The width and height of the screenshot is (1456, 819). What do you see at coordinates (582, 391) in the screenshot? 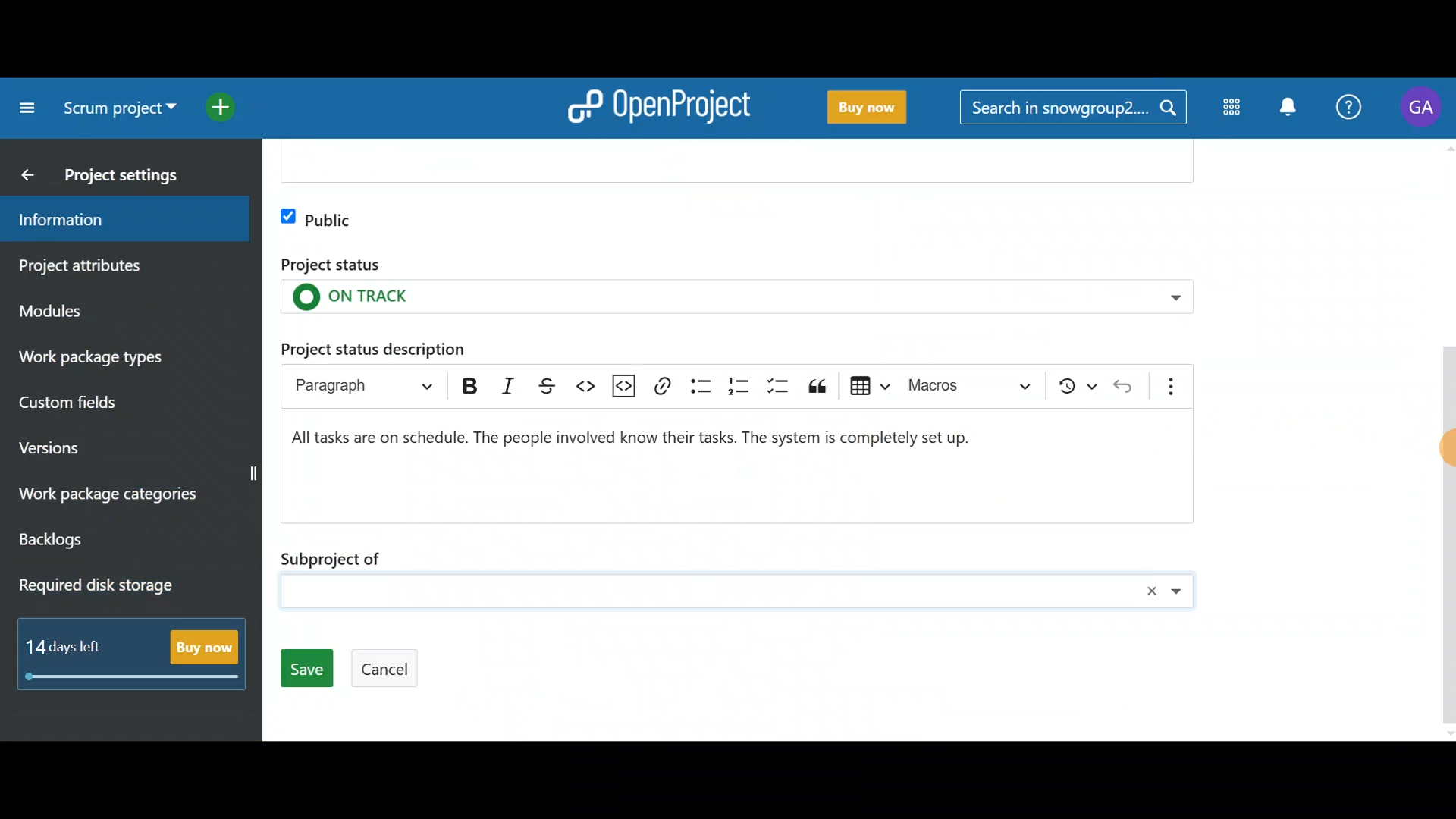
I see `Code` at bounding box center [582, 391].